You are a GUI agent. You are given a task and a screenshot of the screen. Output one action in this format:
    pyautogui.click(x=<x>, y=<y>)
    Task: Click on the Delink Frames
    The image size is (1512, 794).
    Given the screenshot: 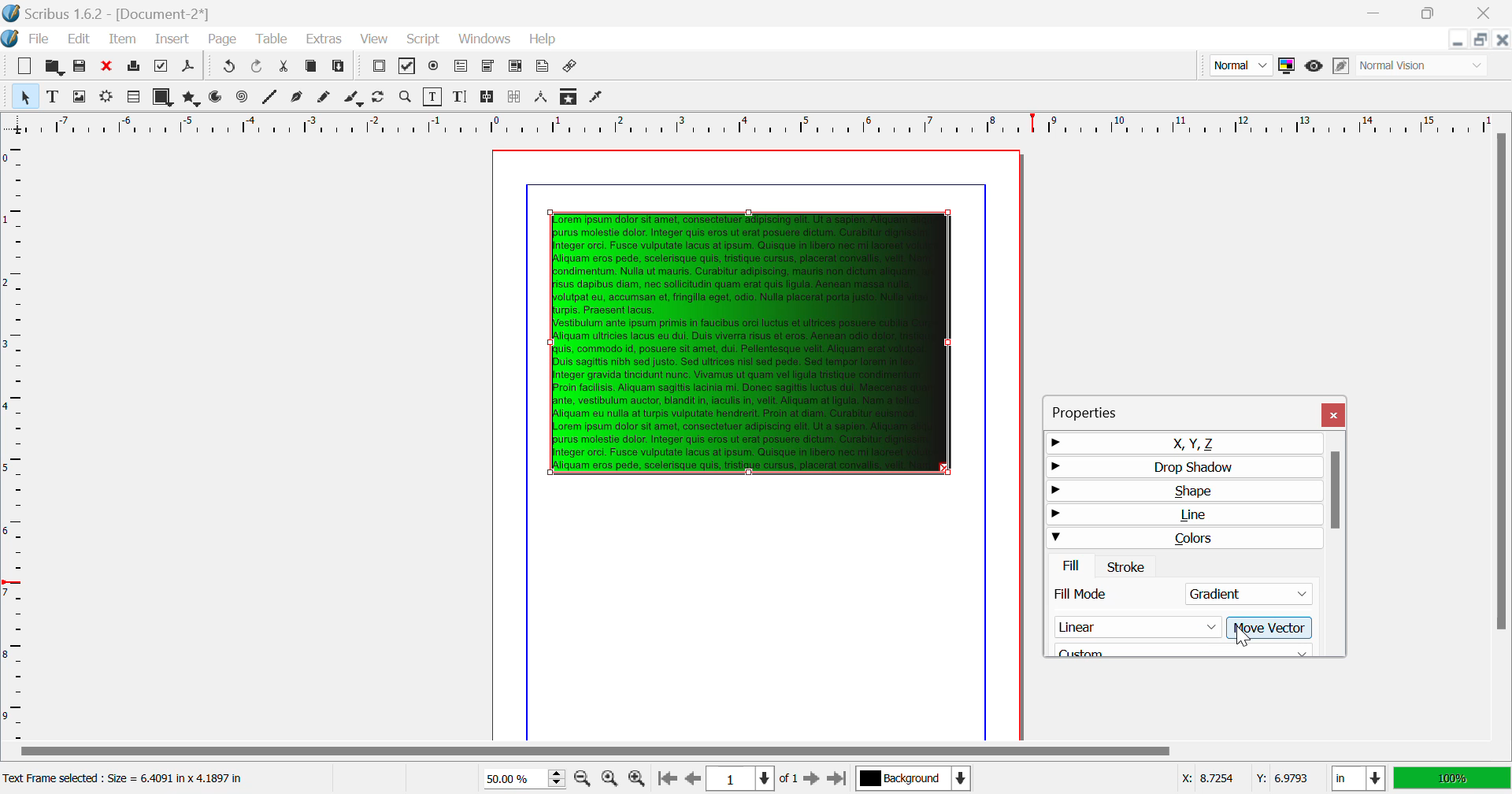 What is the action you would take?
    pyautogui.click(x=516, y=97)
    